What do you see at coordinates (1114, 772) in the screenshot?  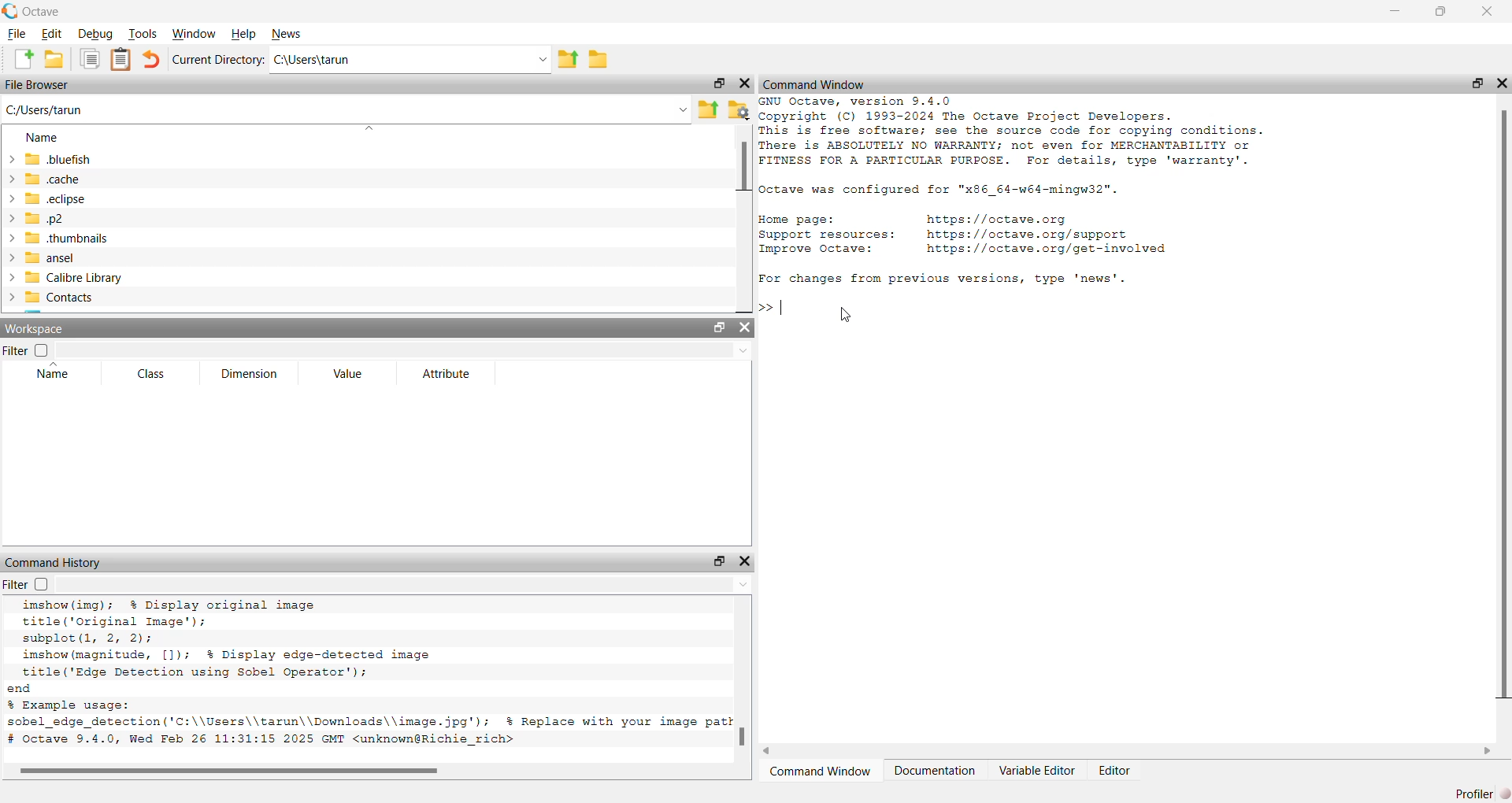 I see `editor` at bounding box center [1114, 772].